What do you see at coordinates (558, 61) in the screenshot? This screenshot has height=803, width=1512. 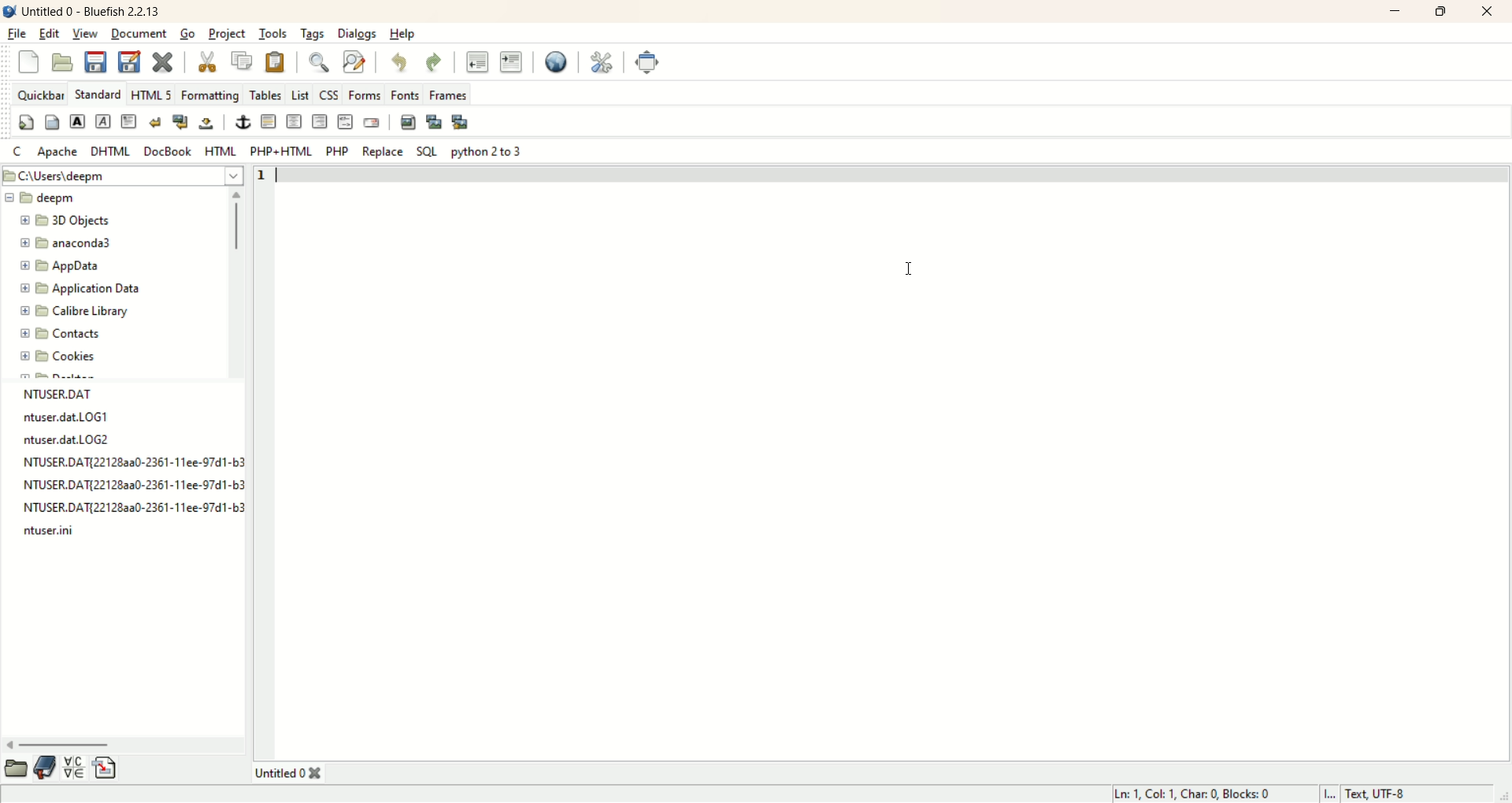 I see `preview in browse` at bounding box center [558, 61].